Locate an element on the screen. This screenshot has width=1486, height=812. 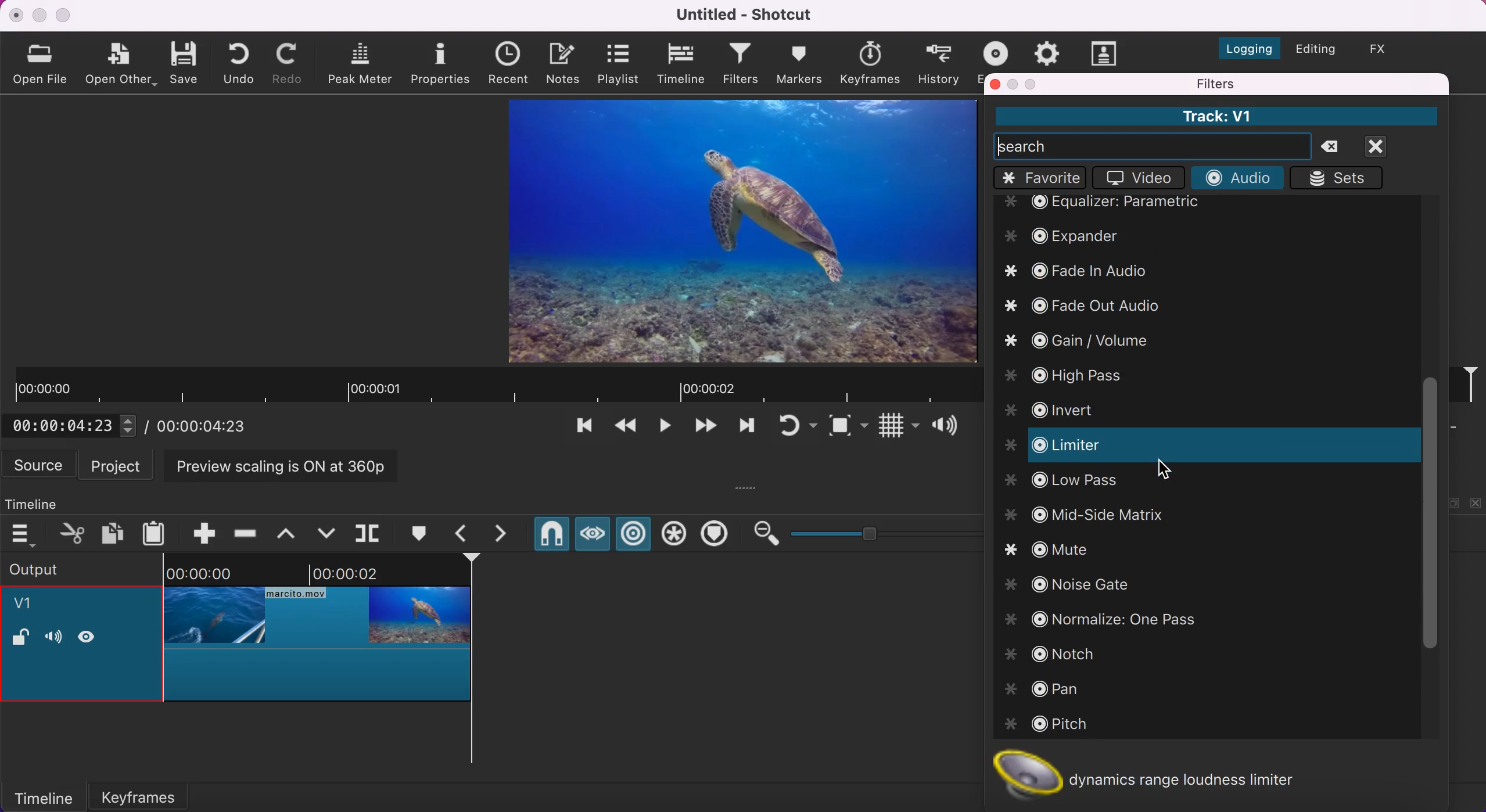
playlist is located at coordinates (618, 63).